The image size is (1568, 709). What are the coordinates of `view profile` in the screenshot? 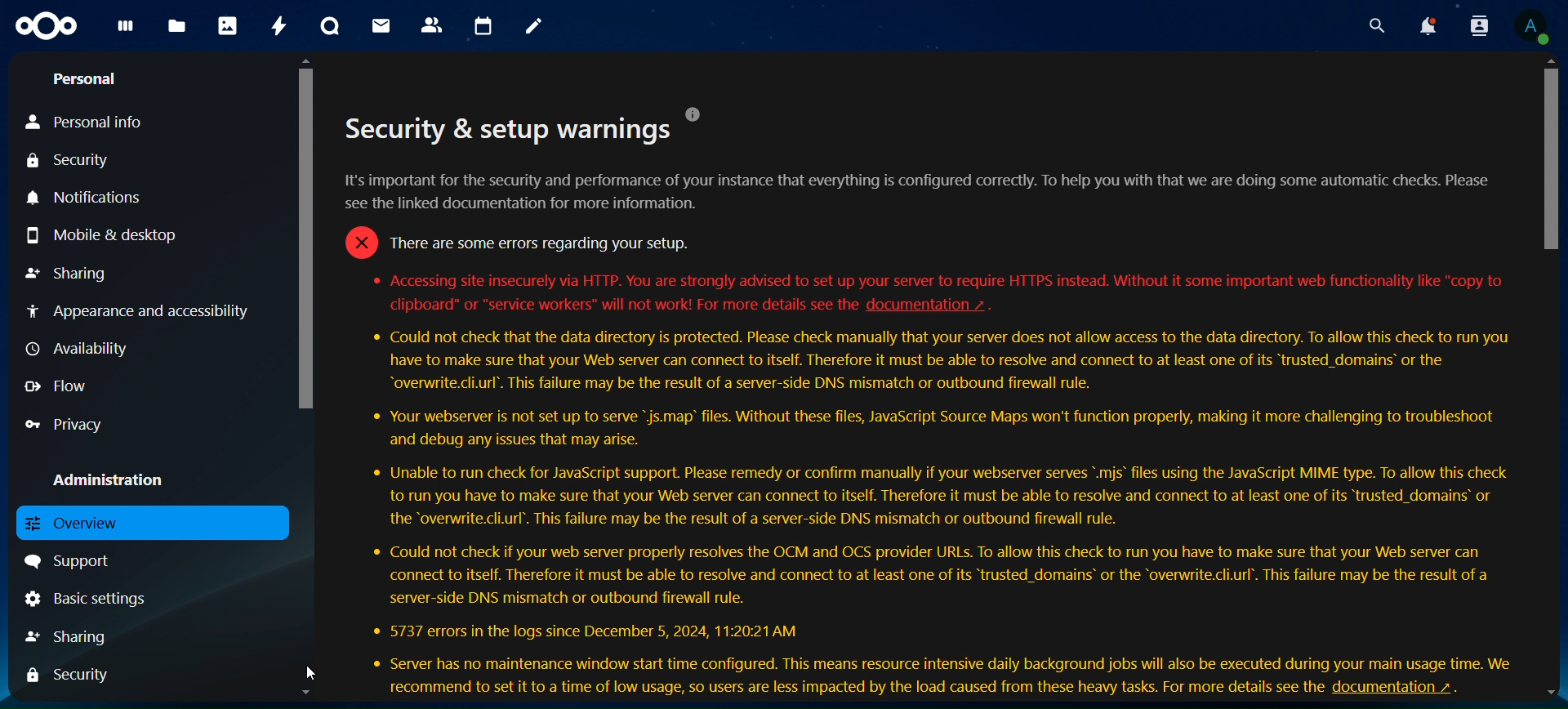 It's located at (1535, 25).